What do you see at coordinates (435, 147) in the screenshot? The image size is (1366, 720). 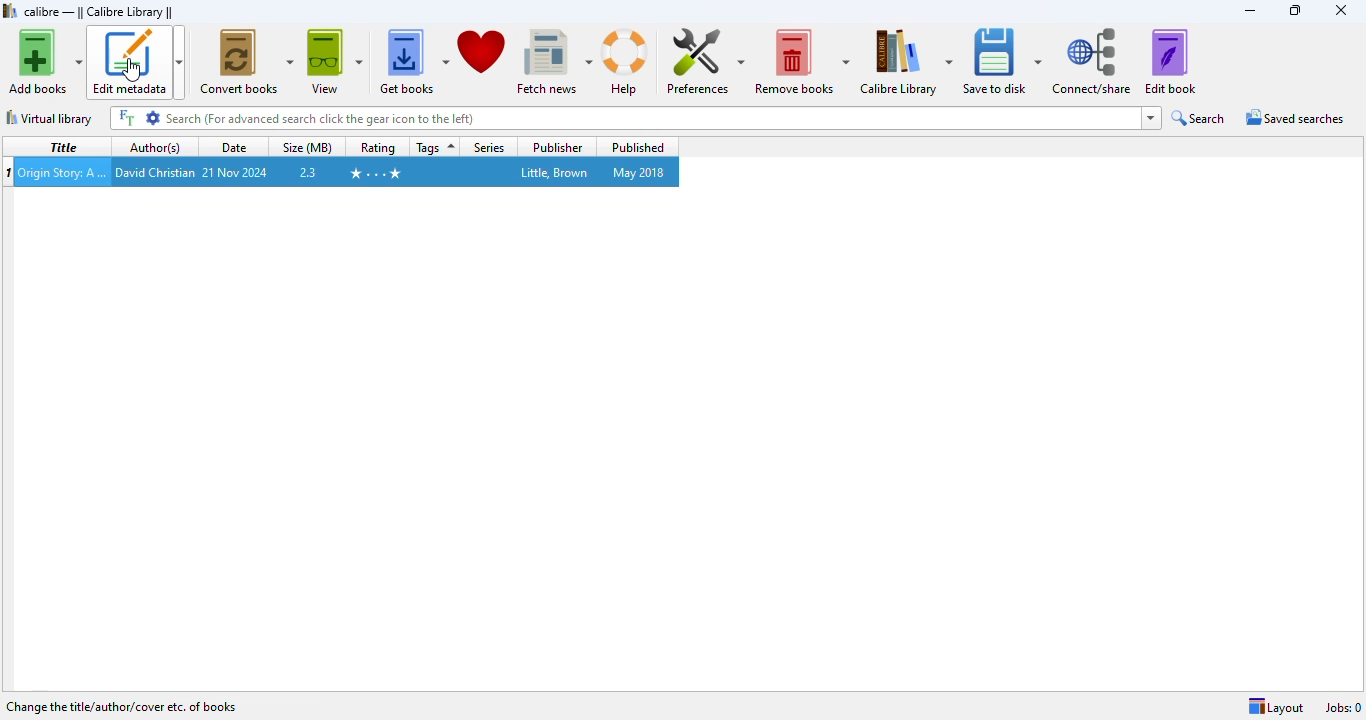 I see `tags` at bounding box center [435, 147].